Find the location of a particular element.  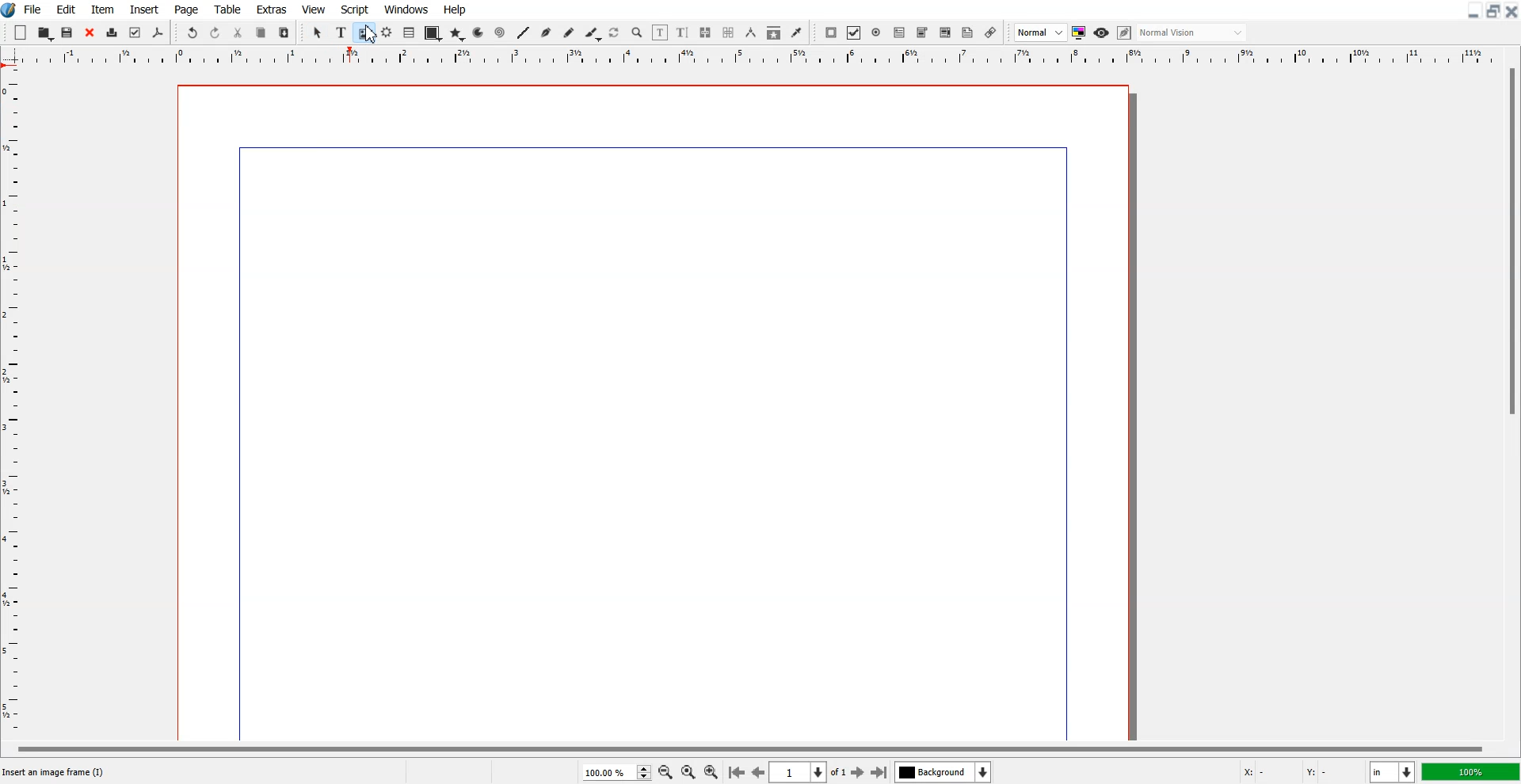

Select Zoom Level is located at coordinates (616, 771).